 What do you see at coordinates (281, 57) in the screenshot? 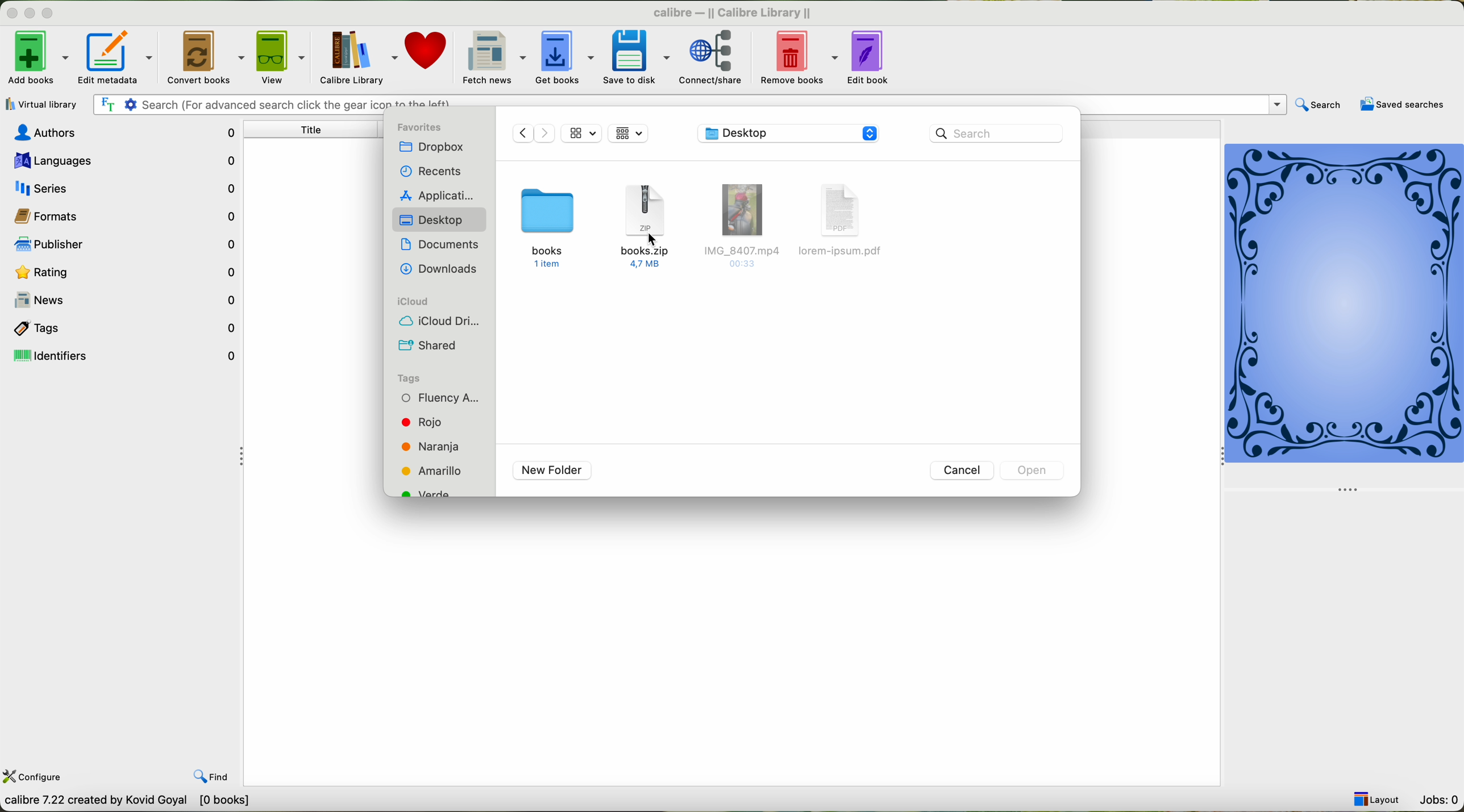
I see `view` at bounding box center [281, 57].